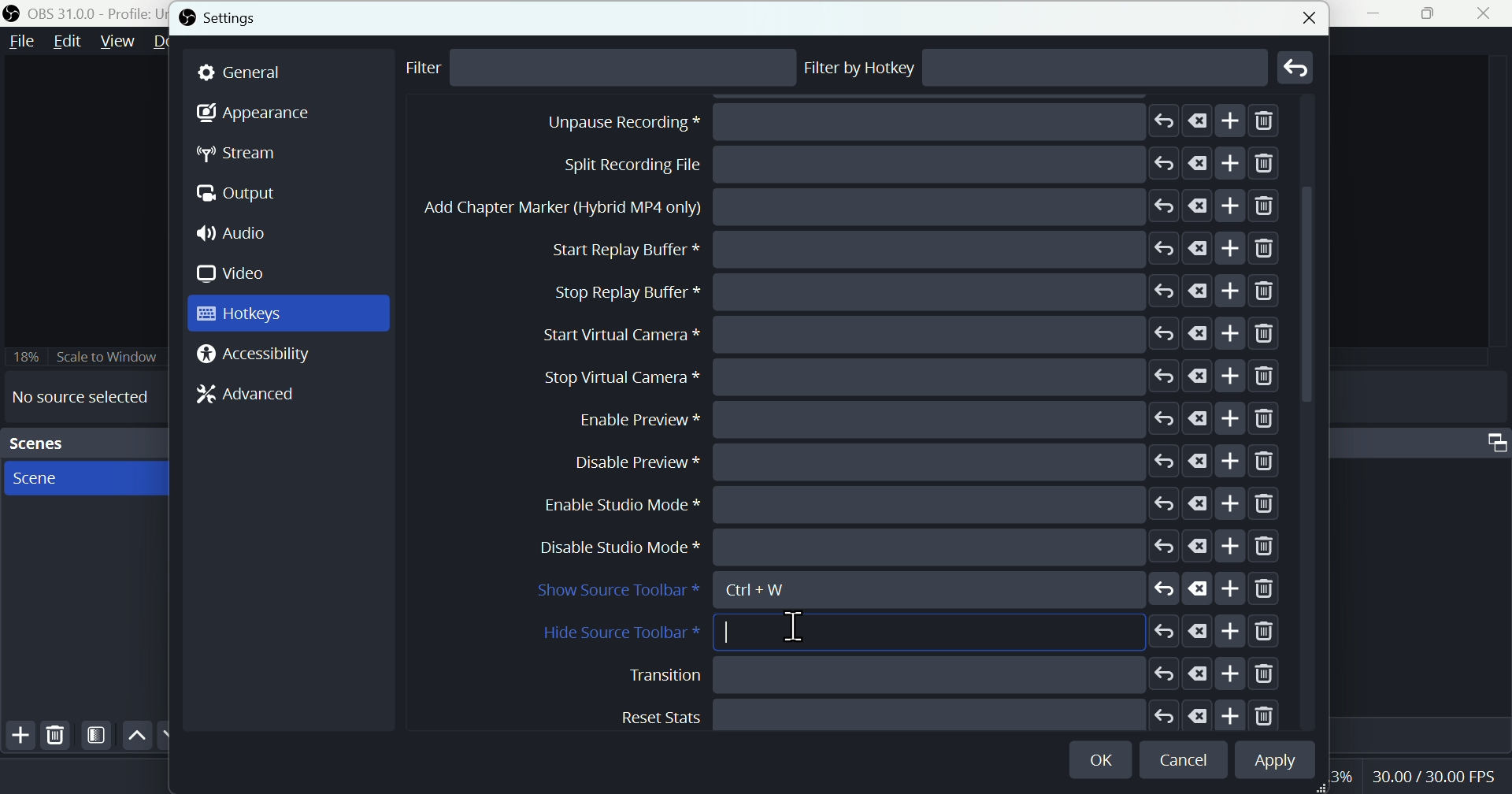  Describe the element at coordinates (1436, 779) in the screenshot. I see `Performance bar paanchala` at that location.